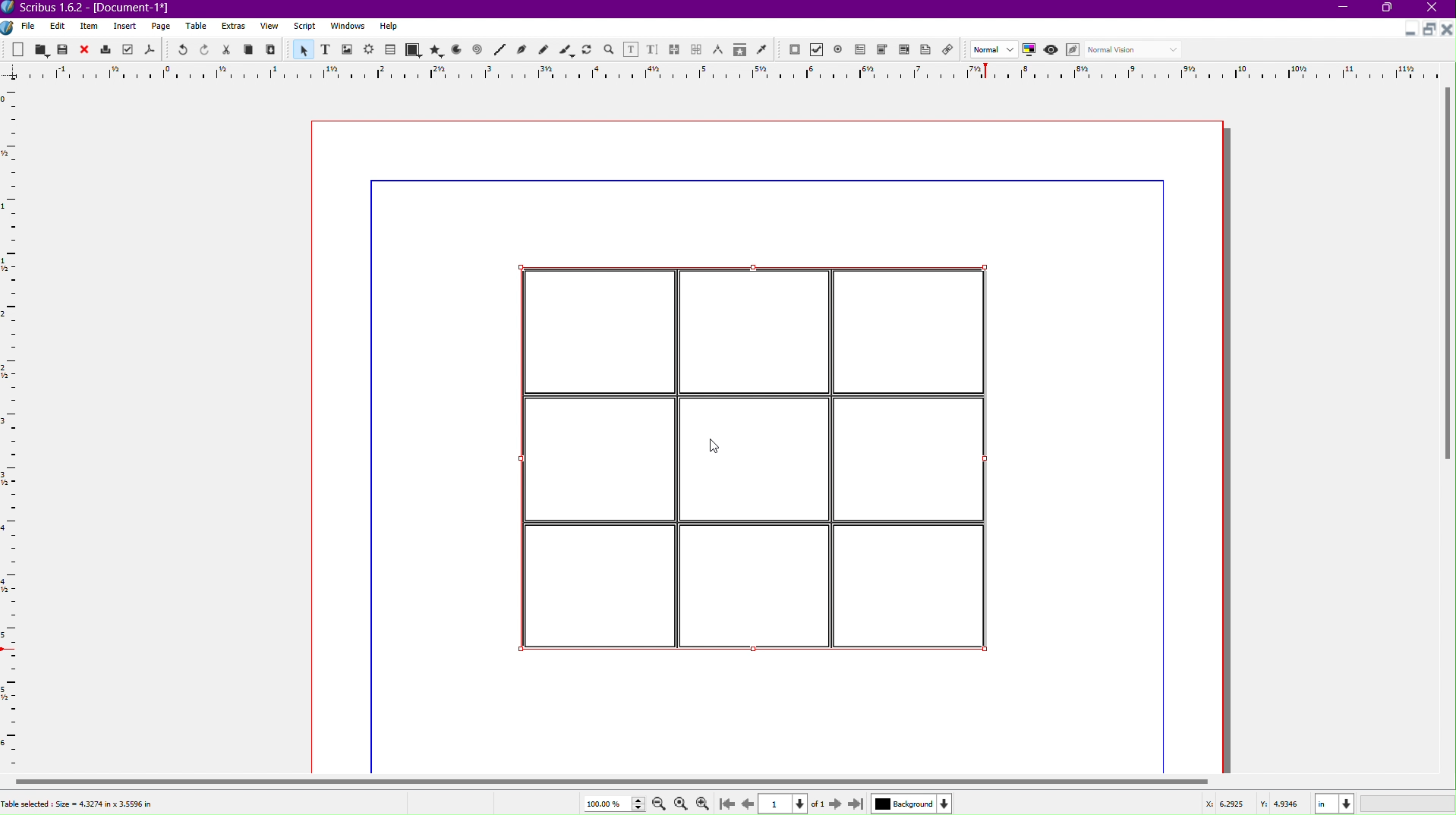 The height and width of the screenshot is (815, 1456). I want to click on Save, so click(64, 49).